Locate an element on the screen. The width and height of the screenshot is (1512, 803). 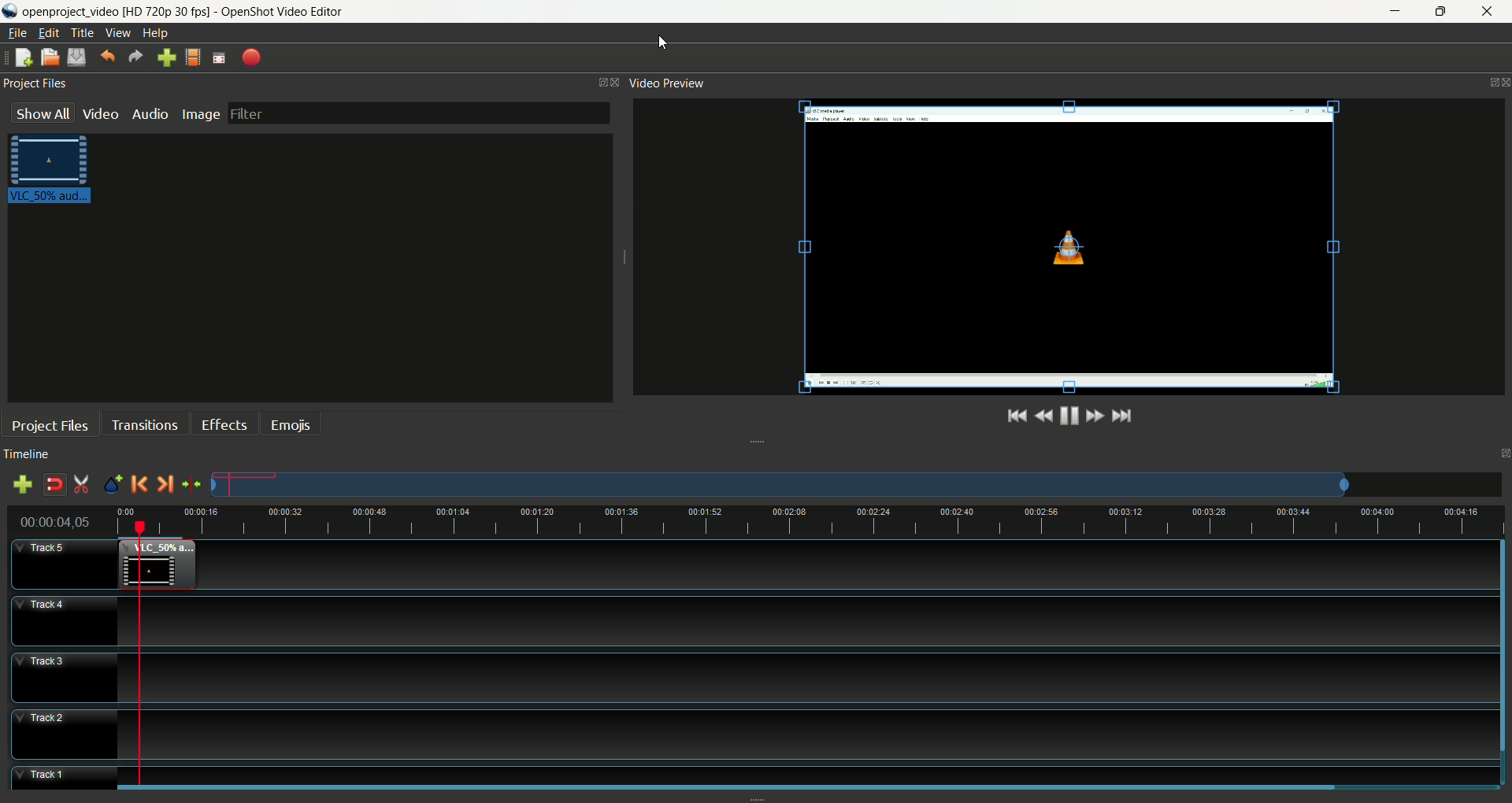
logo is located at coordinates (10, 11).